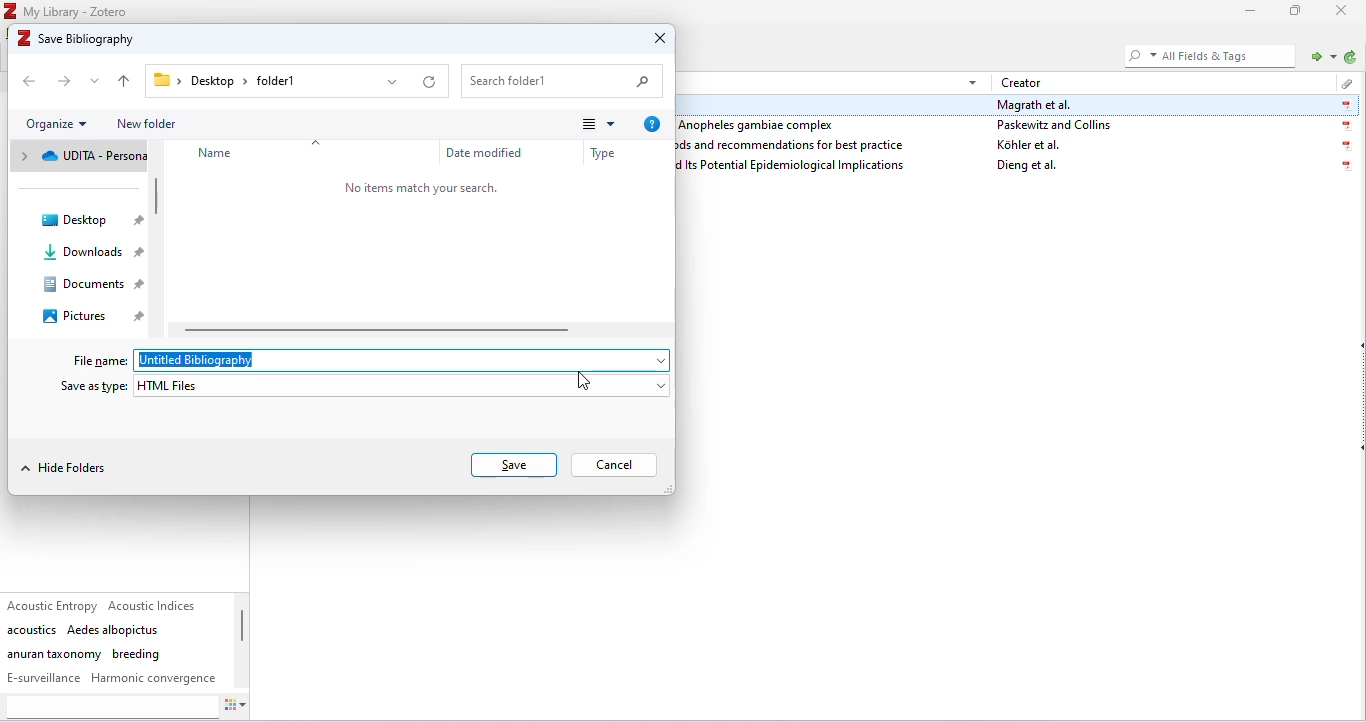 This screenshot has height=722, width=1366. Describe the element at coordinates (230, 81) in the screenshot. I see `file path` at that location.